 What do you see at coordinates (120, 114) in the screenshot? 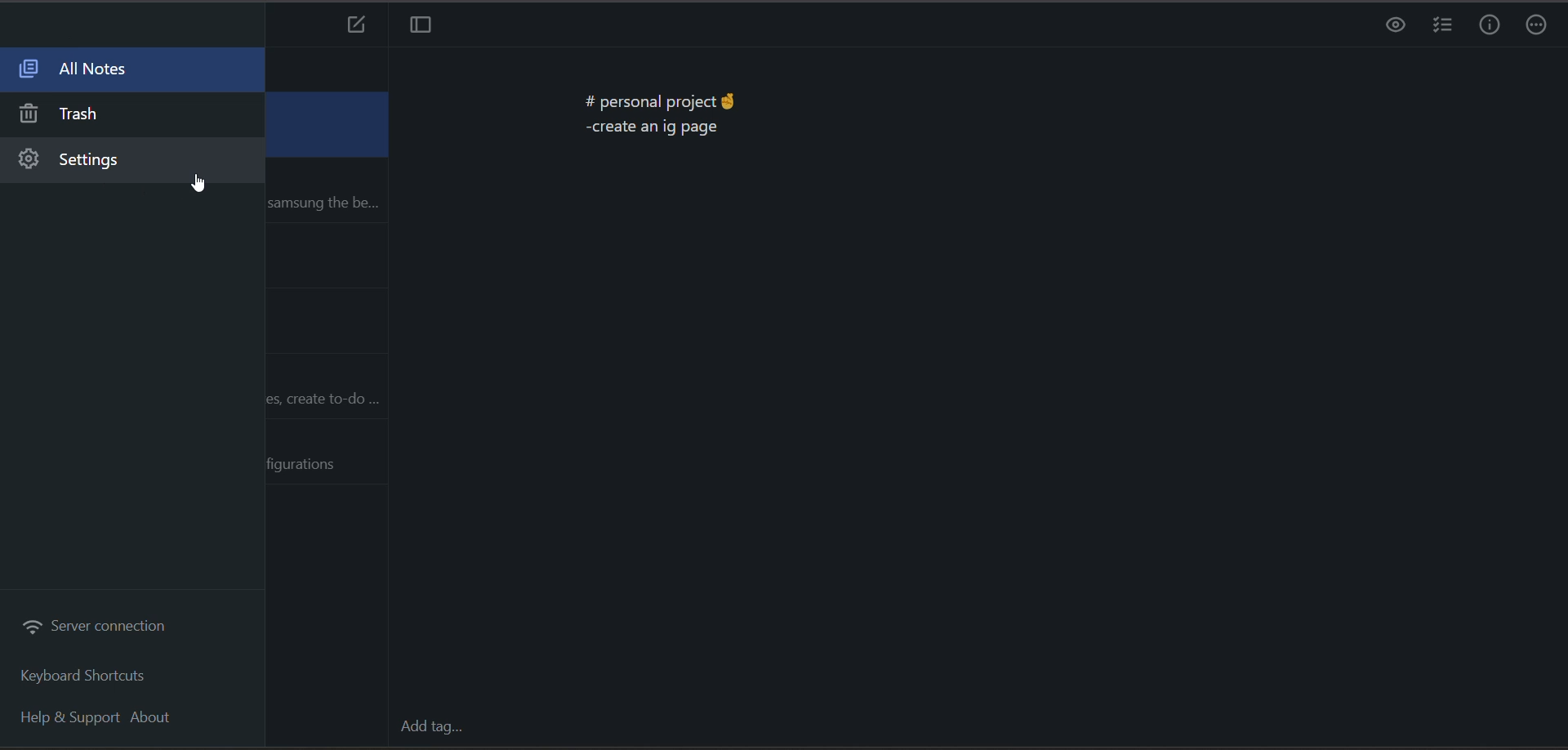
I see `trash` at bounding box center [120, 114].